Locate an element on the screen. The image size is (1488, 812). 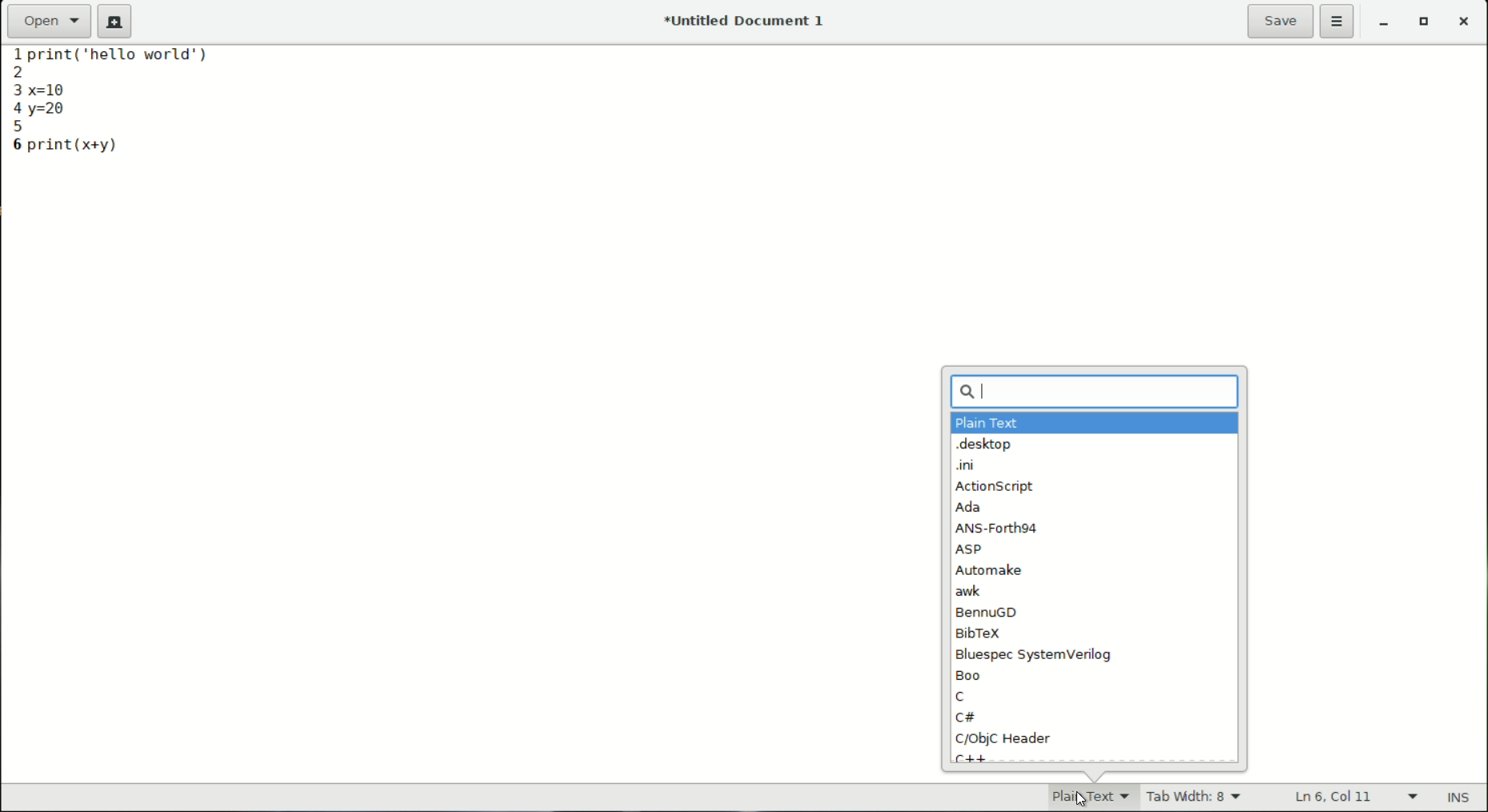
cursor position is located at coordinates (1336, 798).